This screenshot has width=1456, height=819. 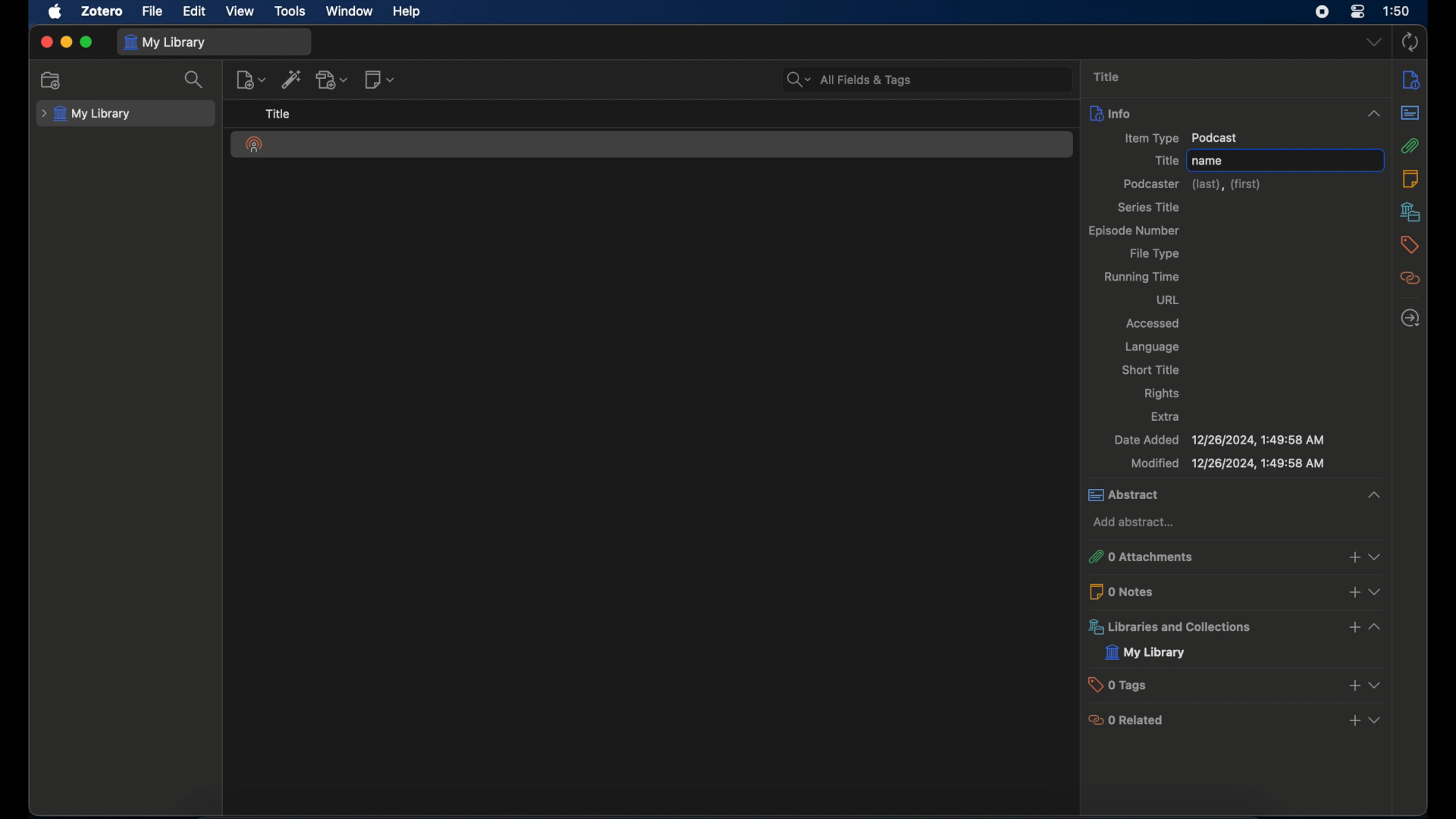 I want to click on 0 notes, so click(x=1237, y=591).